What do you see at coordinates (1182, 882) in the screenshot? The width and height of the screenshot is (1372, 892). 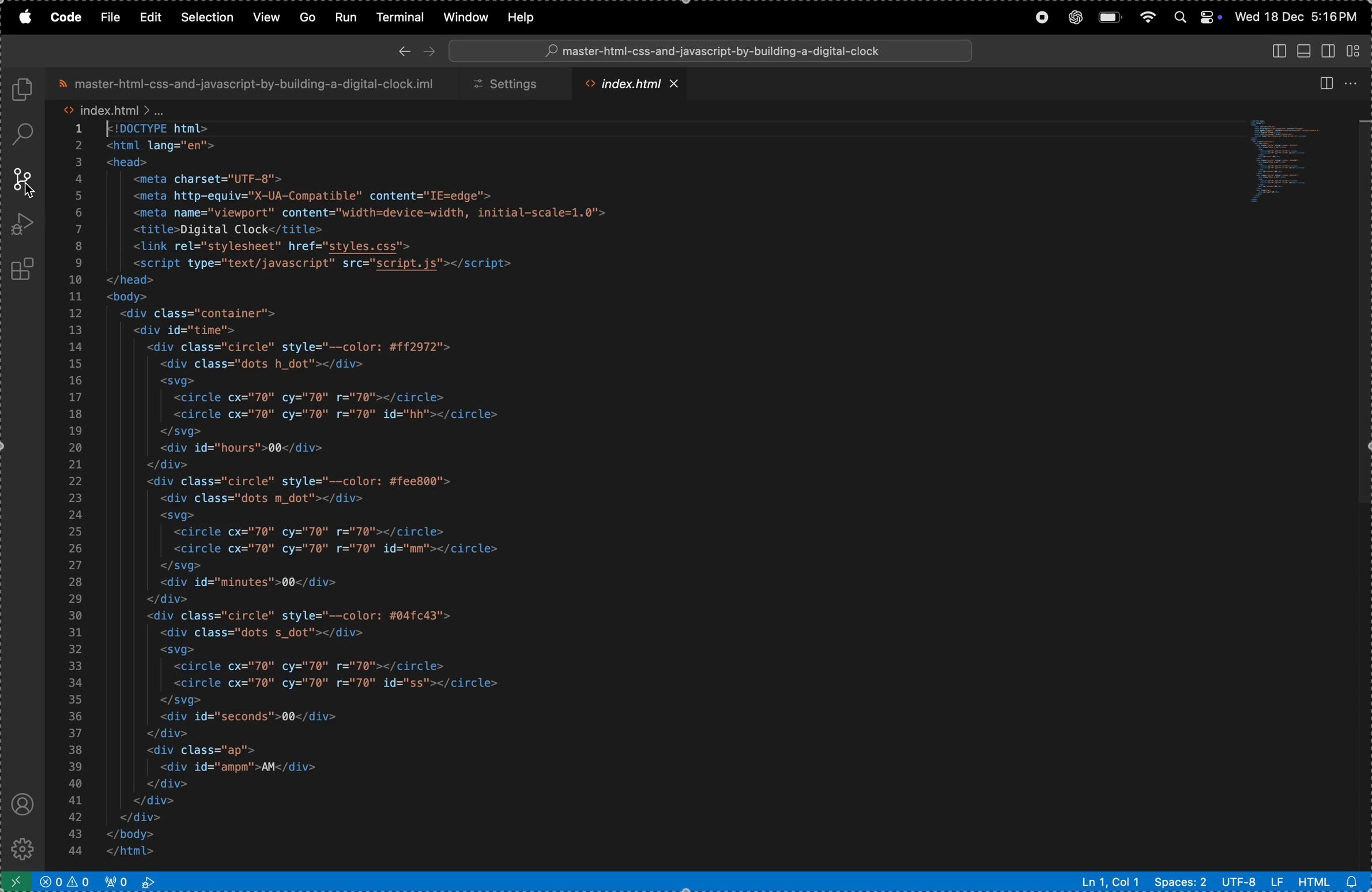 I see `spaces 2` at bounding box center [1182, 882].